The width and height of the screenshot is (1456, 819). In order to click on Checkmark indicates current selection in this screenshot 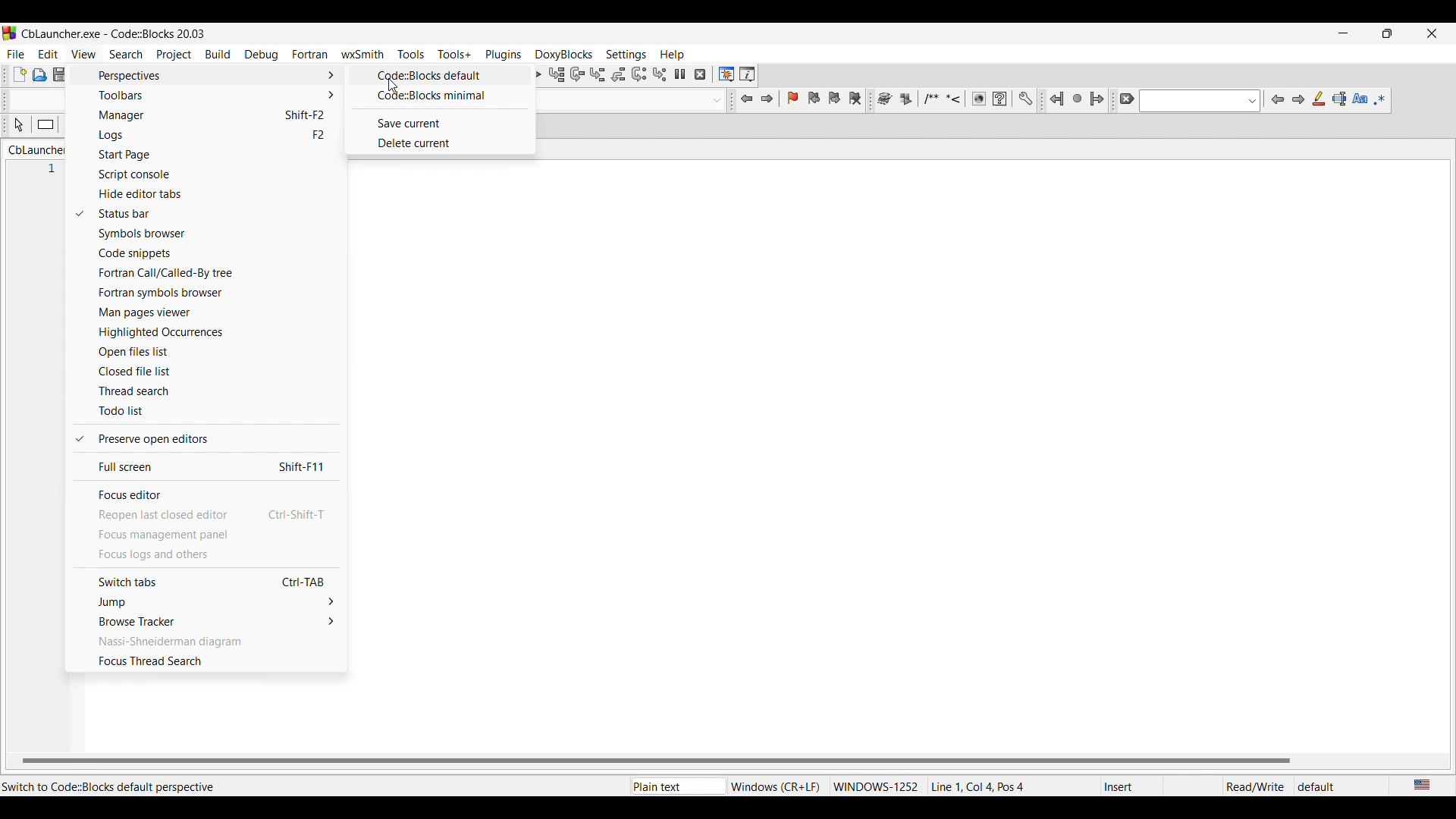, I will do `click(79, 327)`.